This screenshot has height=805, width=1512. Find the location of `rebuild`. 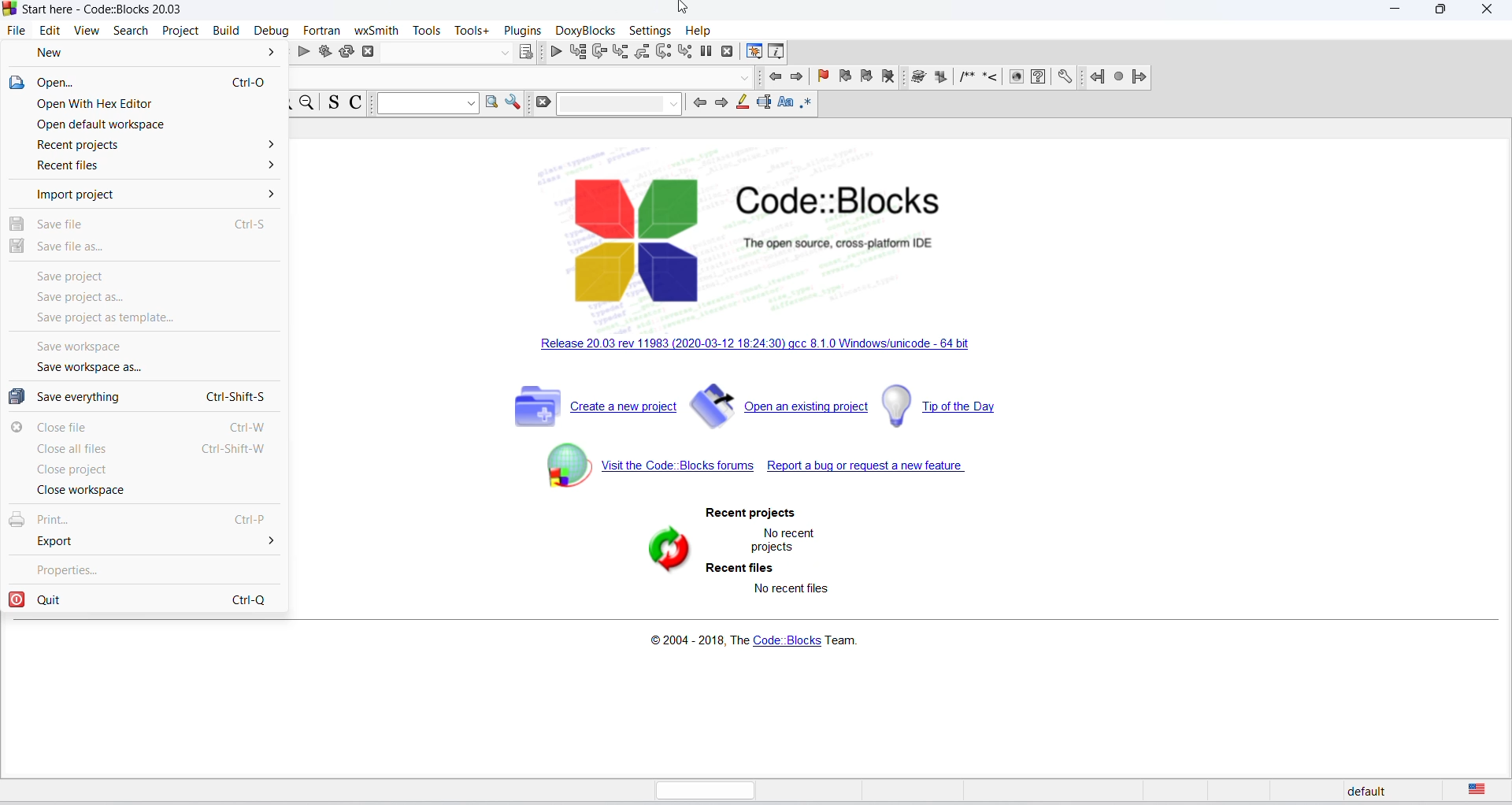

rebuild is located at coordinates (346, 54).